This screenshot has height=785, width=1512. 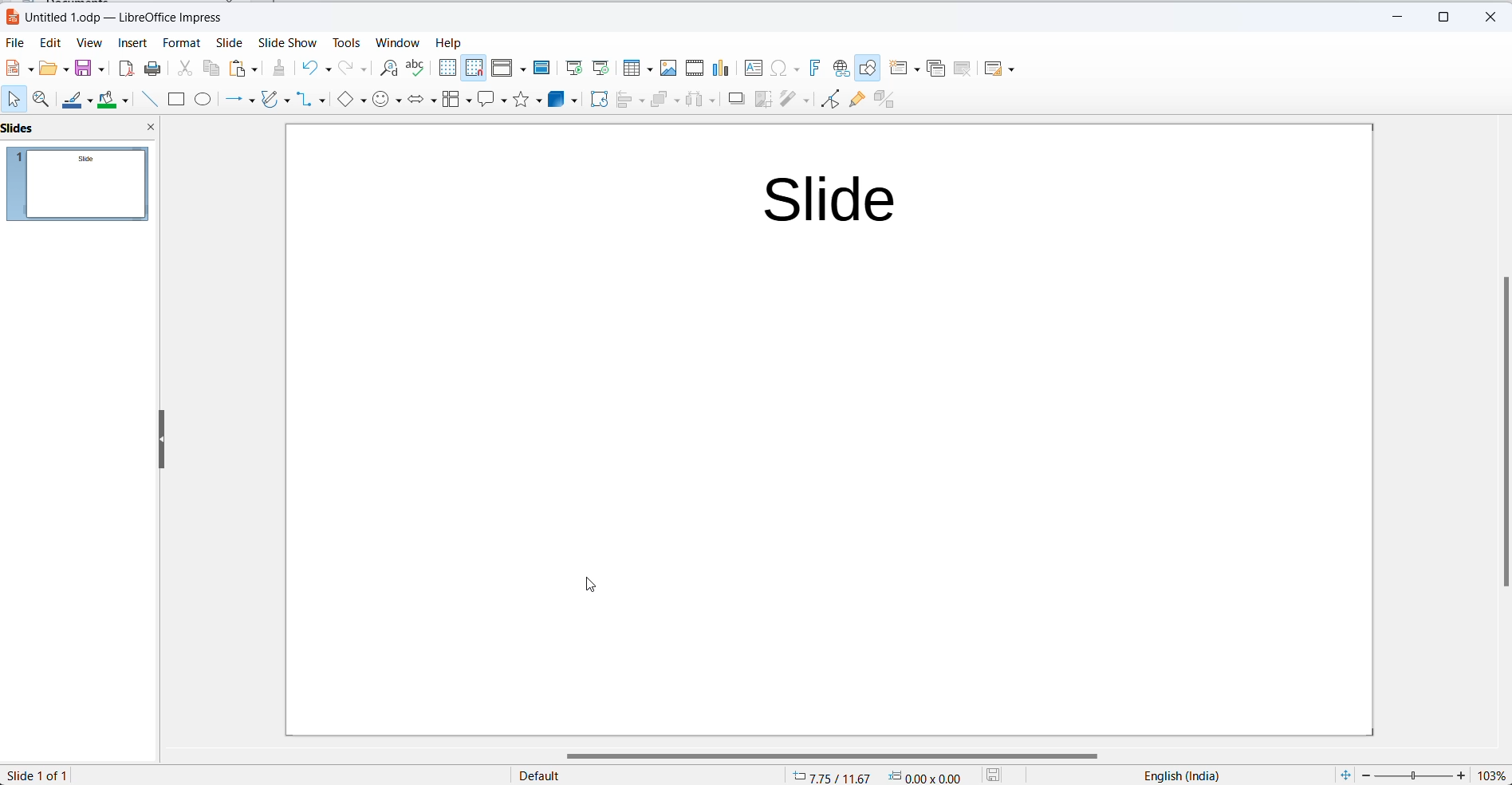 What do you see at coordinates (388, 67) in the screenshot?
I see `Find and replace` at bounding box center [388, 67].